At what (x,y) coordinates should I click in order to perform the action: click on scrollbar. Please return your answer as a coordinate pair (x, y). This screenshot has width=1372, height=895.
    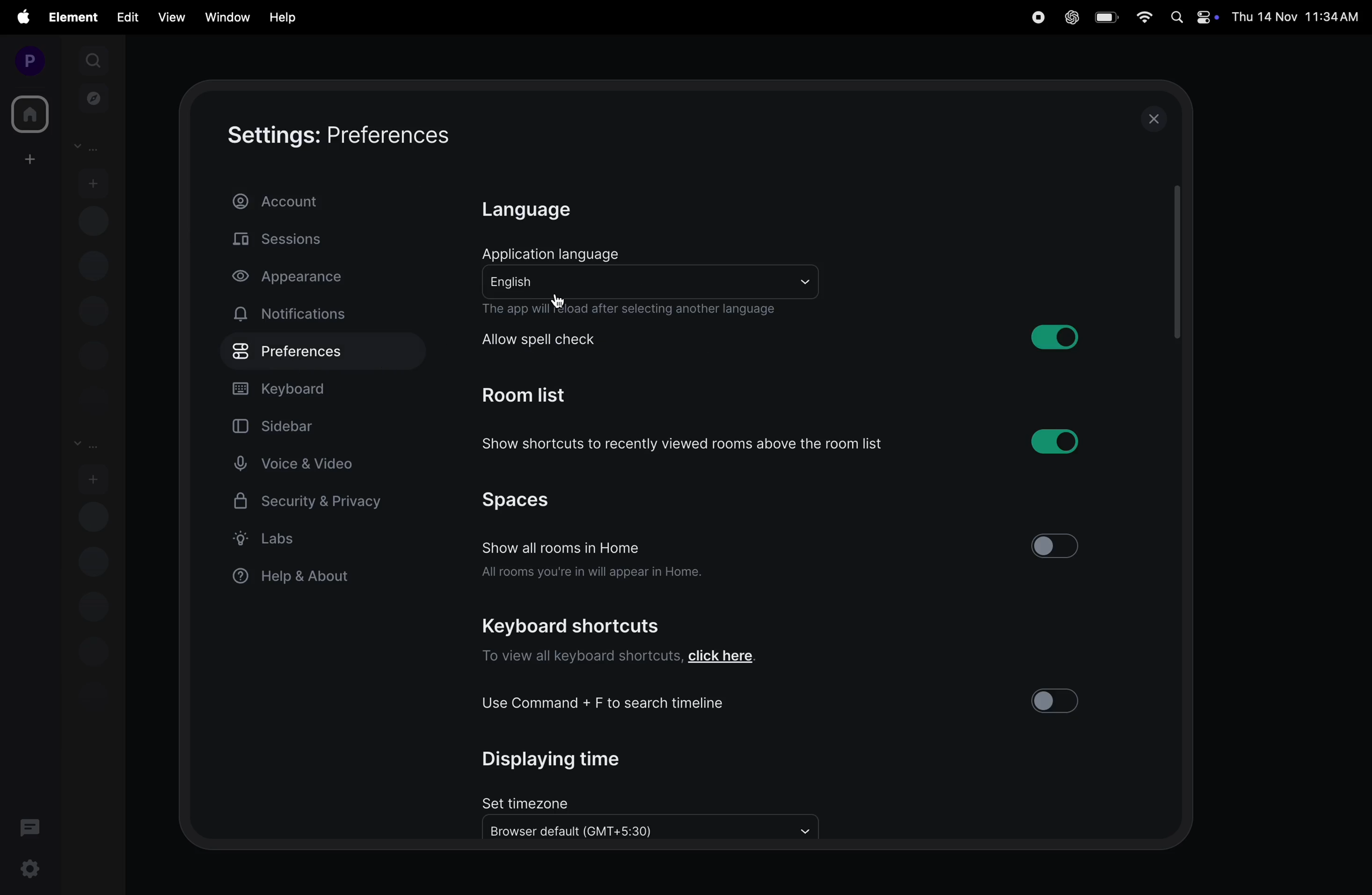
    Looking at the image, I should click on (1177, 264).